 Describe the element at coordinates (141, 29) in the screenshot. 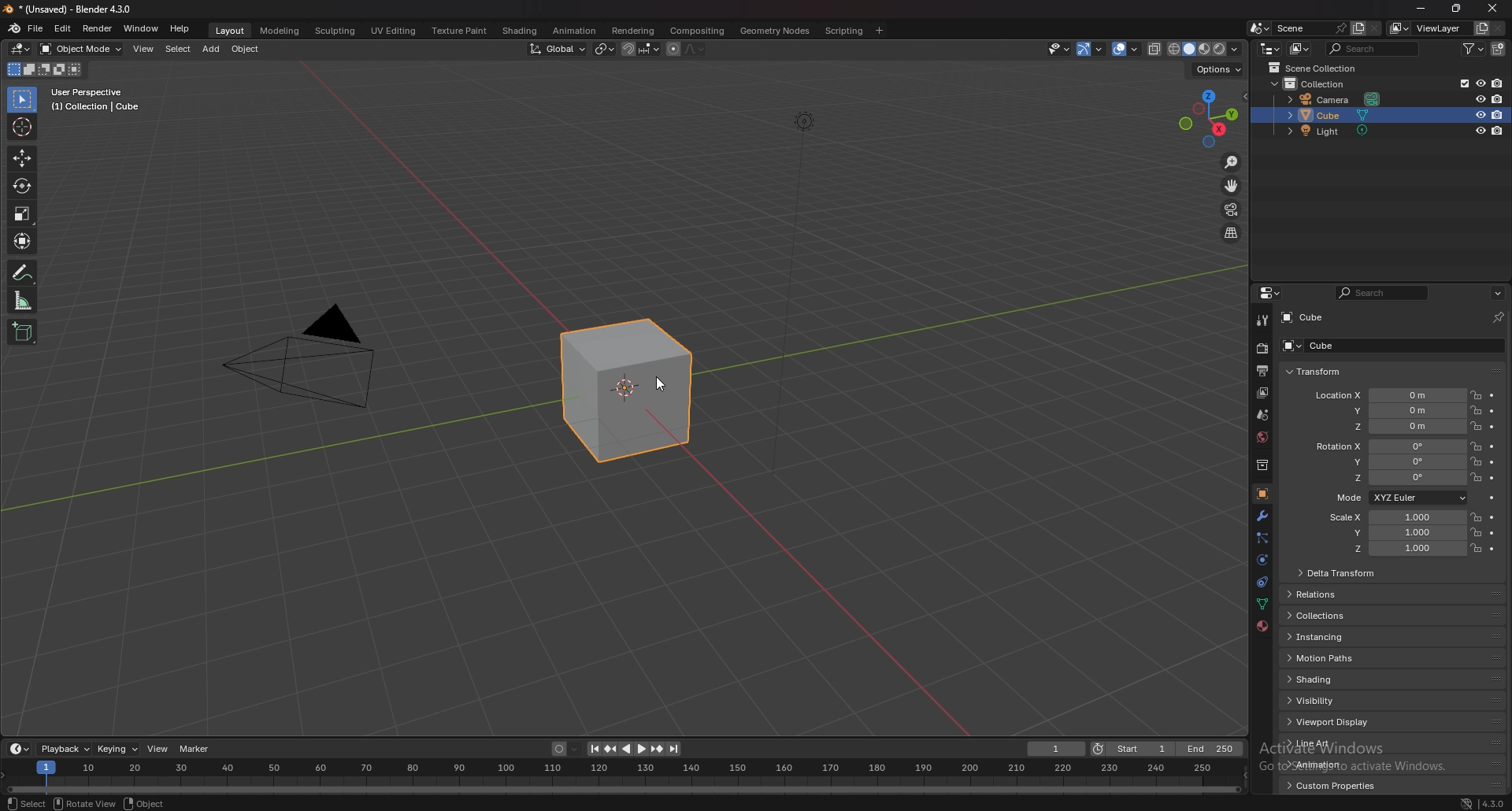

I see `window` at that location.